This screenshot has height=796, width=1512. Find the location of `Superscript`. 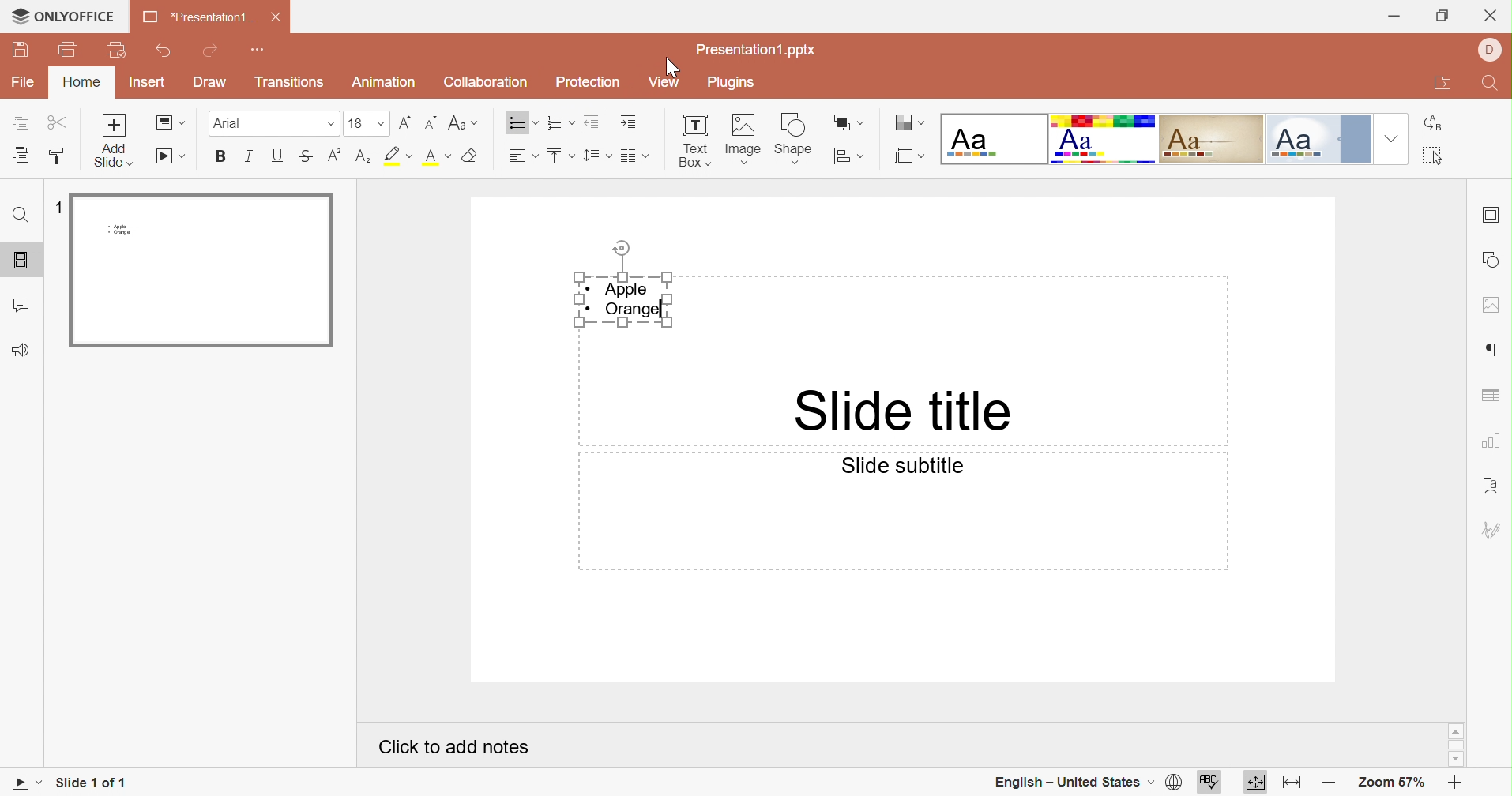

Superscript is located at coordinates (305, 158).